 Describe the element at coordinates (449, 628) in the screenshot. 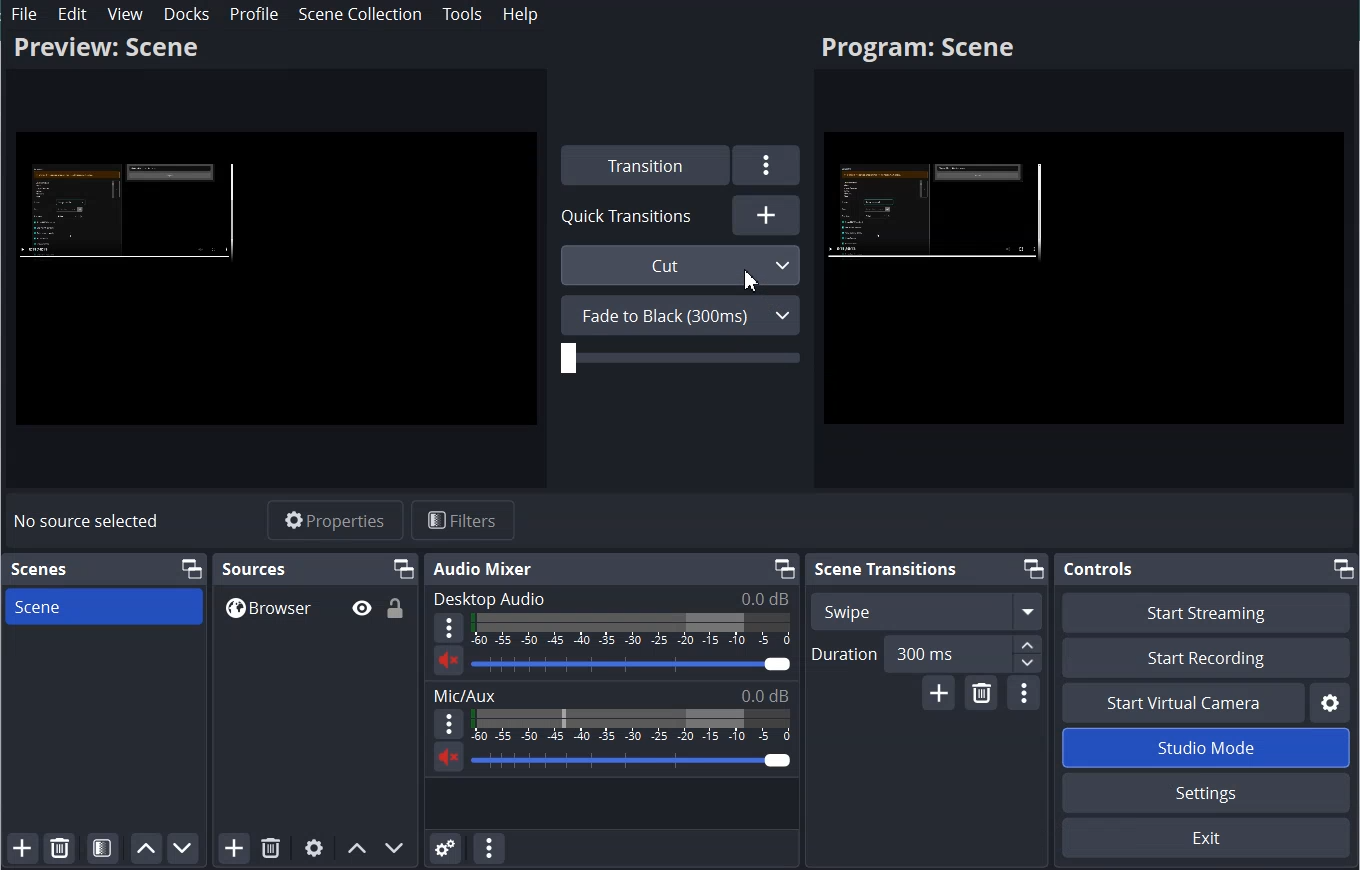

I see `More` at that location.